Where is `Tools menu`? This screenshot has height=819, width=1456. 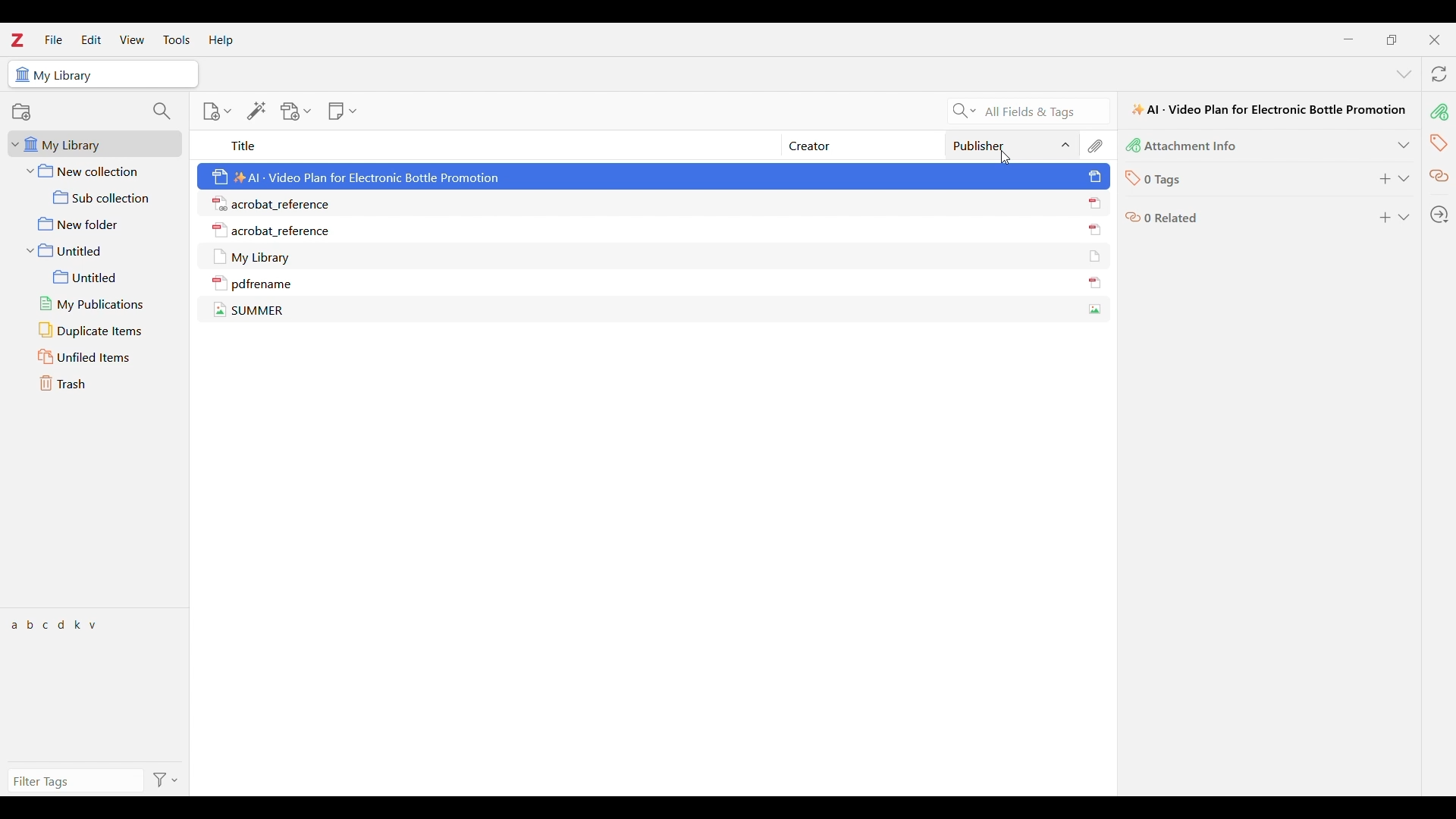 Tools menu is located at coordinates (176, 39).